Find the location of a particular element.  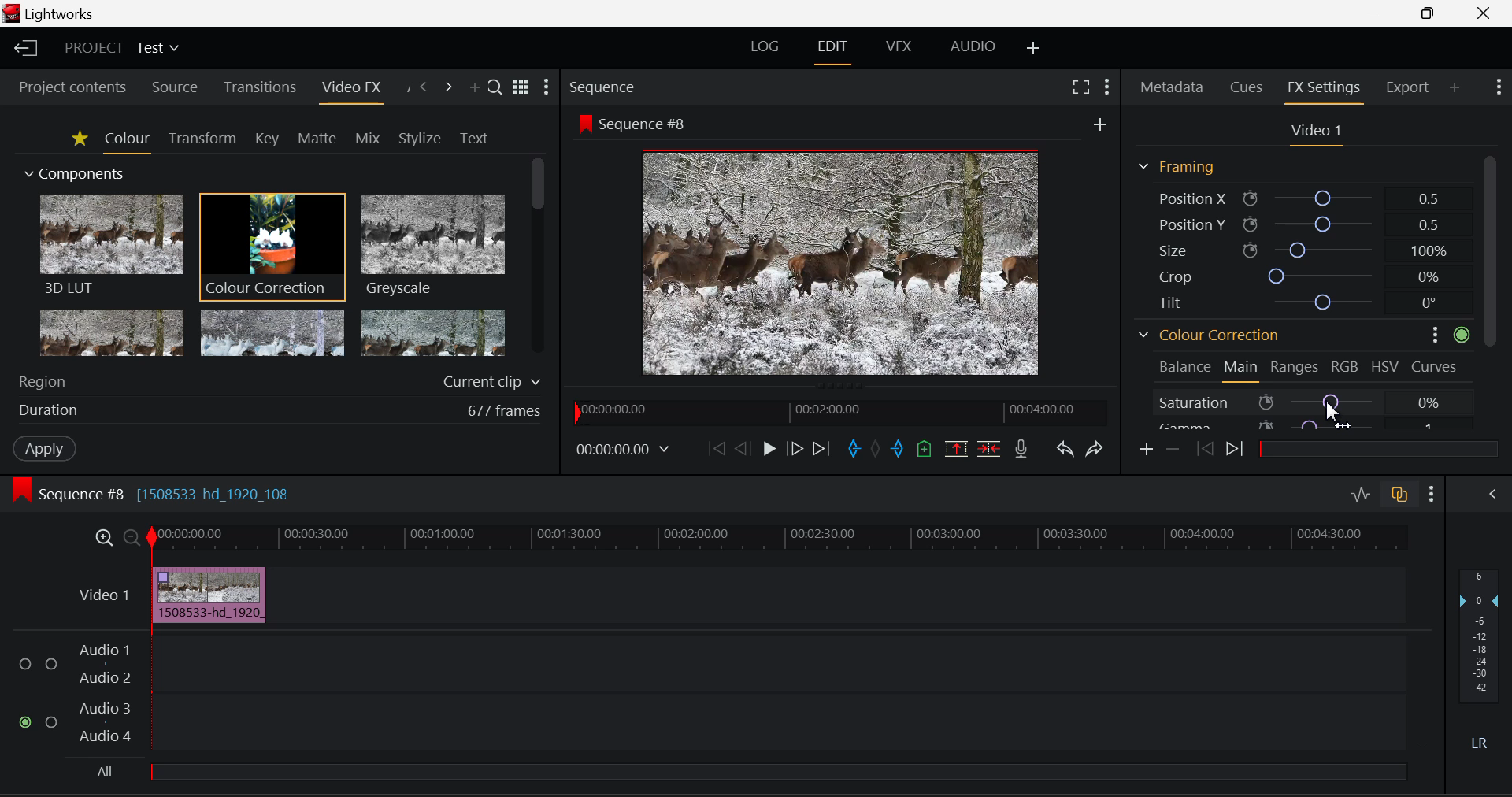

Text is located at coordinates (474, 138).